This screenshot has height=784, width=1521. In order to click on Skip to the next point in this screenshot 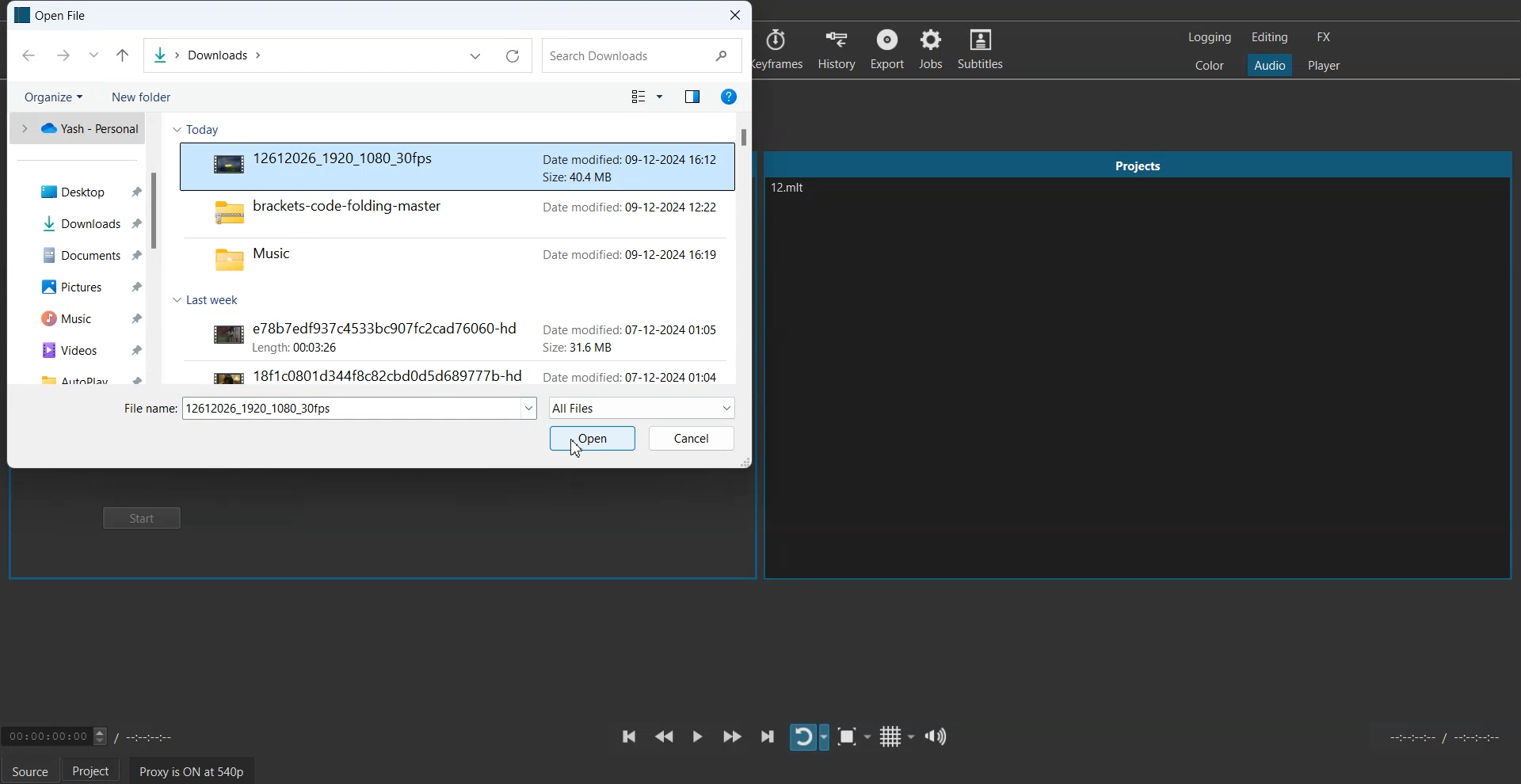, I will do `click(768, 736)`.